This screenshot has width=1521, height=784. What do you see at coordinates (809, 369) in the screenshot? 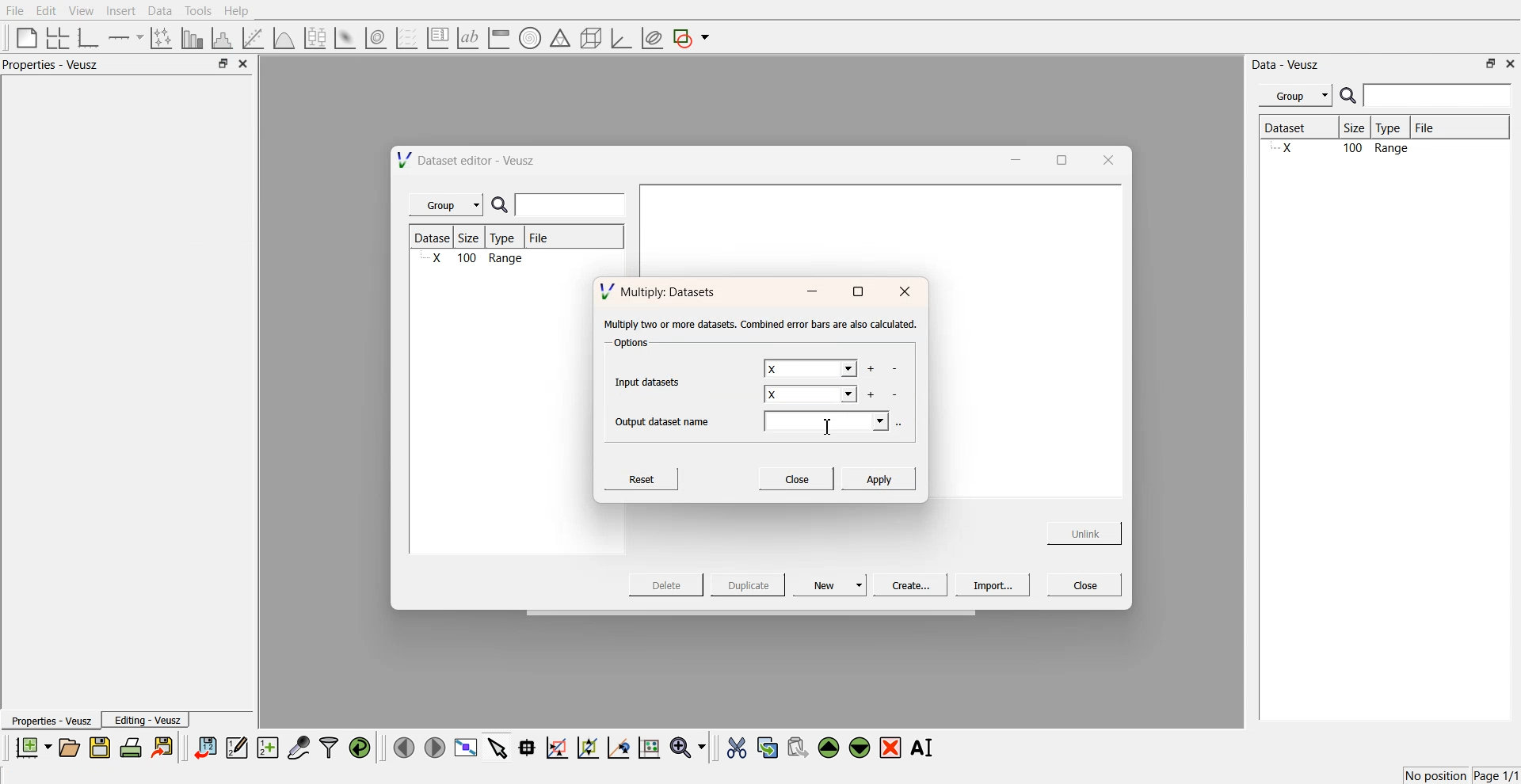
I see `X` at bounding box center [809, 369].